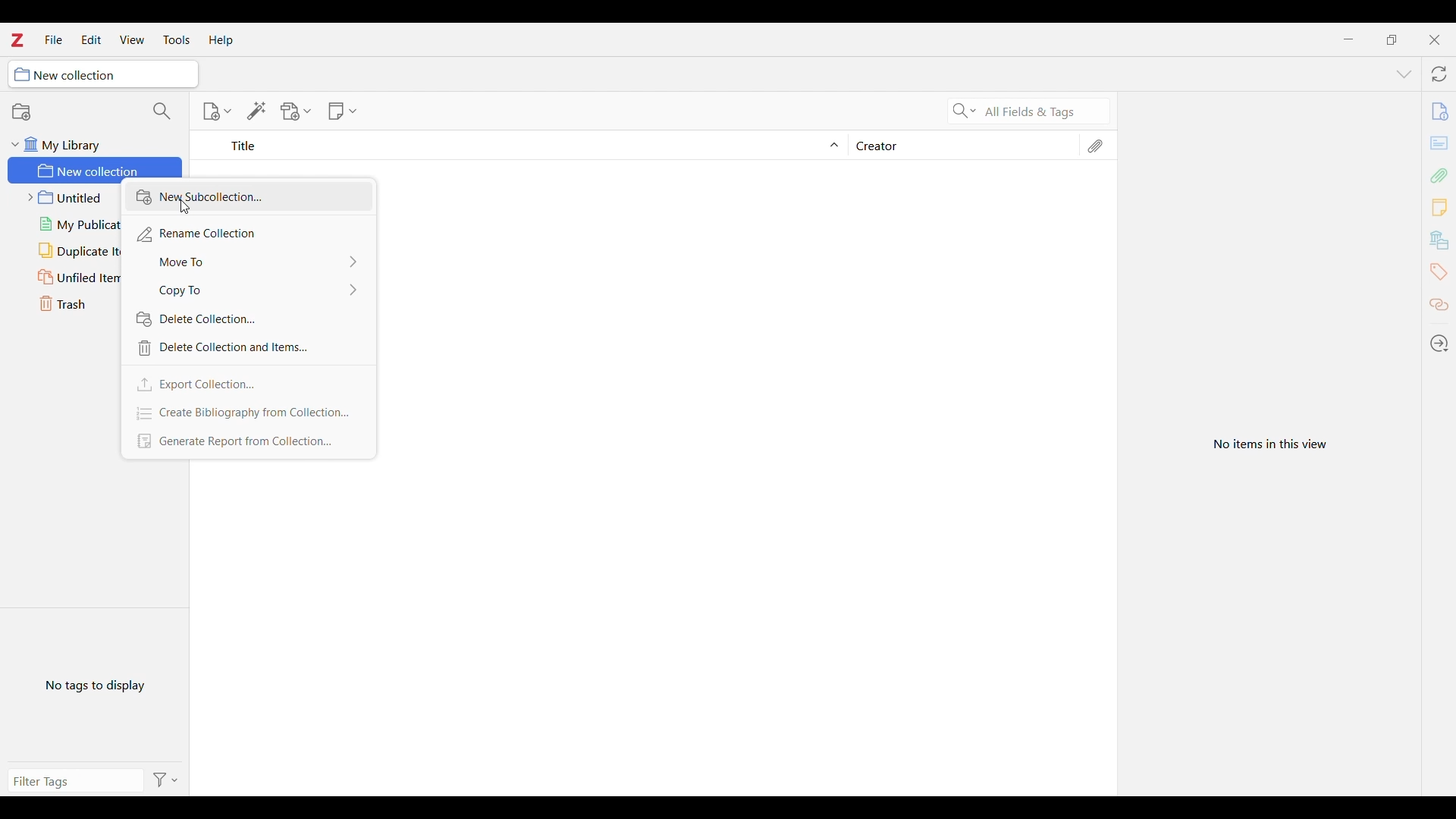  What do you see at coordinates (1439, 207) in the screenshot?
I see `Add new note` at bounding box center [1439, 207].